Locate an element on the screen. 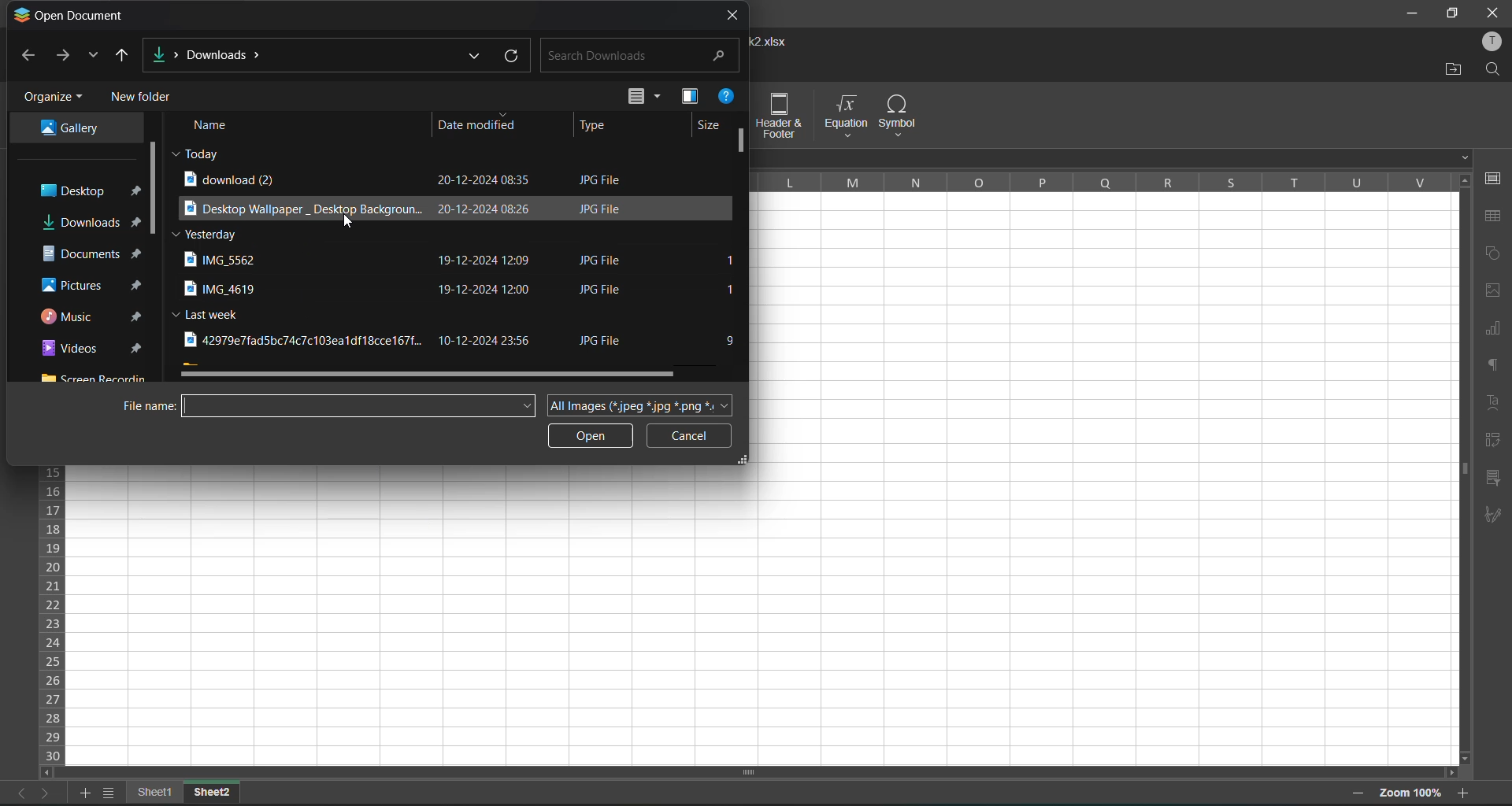 Image resolution: width=1512 pixels, height=806 pixels. cancel is located at coordinates (687, 436).